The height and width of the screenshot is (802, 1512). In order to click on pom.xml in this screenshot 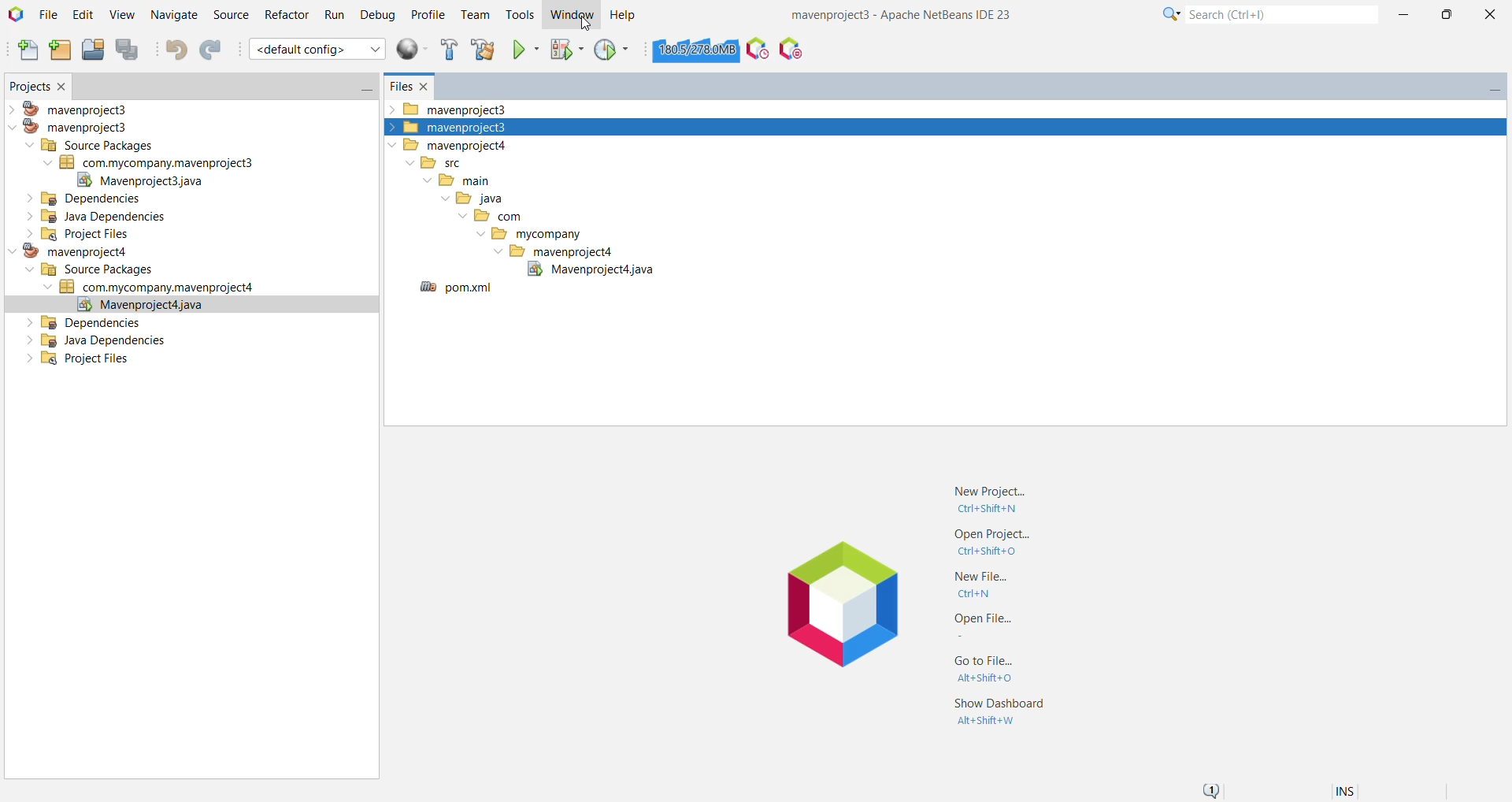, I will do `click(456, 289)`.